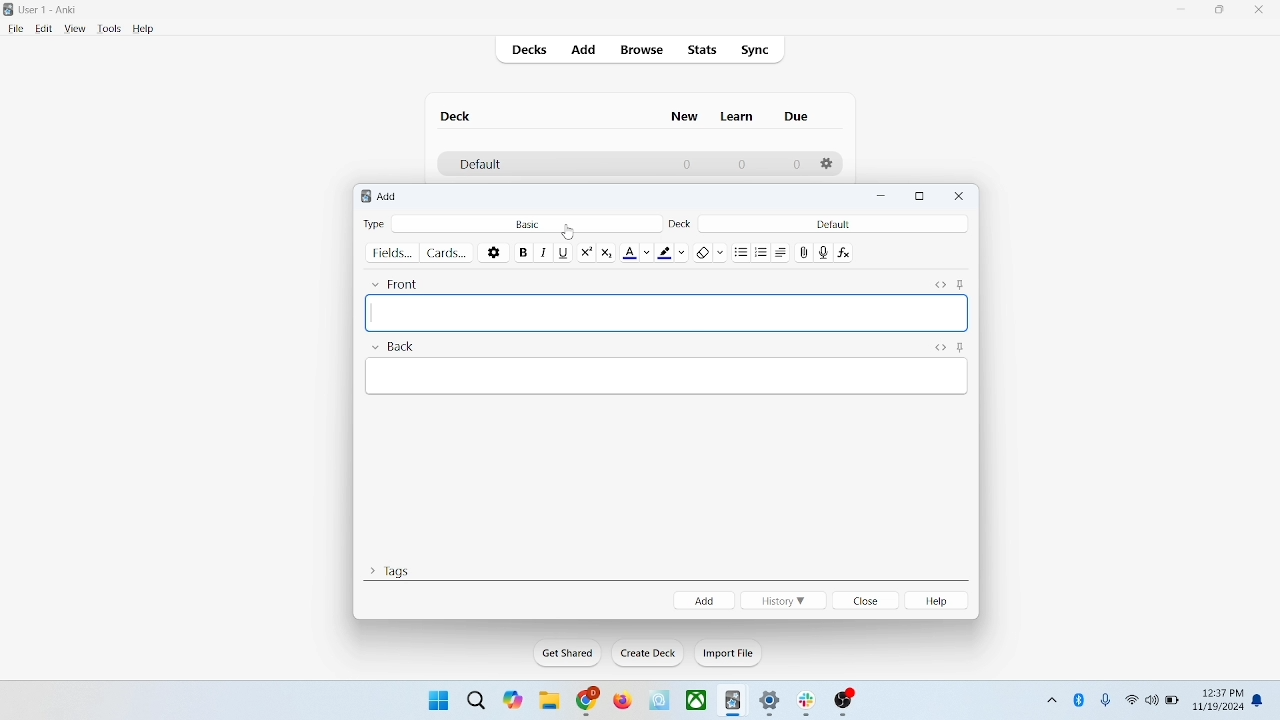 The image size is (1280, 720). I want to click on logo, so click(363, 198).